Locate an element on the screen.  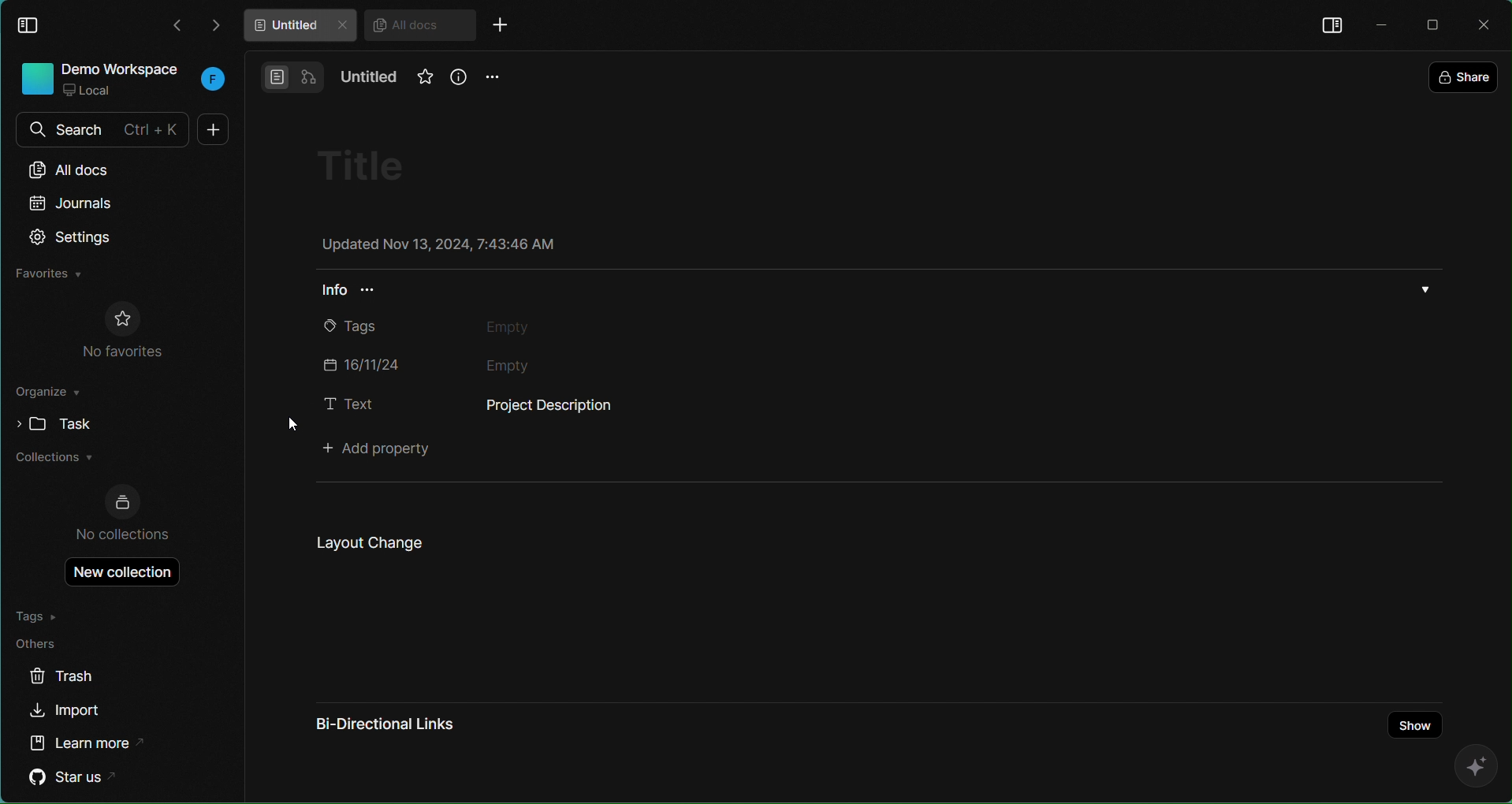
Show is located at coordinates (1409, 712).